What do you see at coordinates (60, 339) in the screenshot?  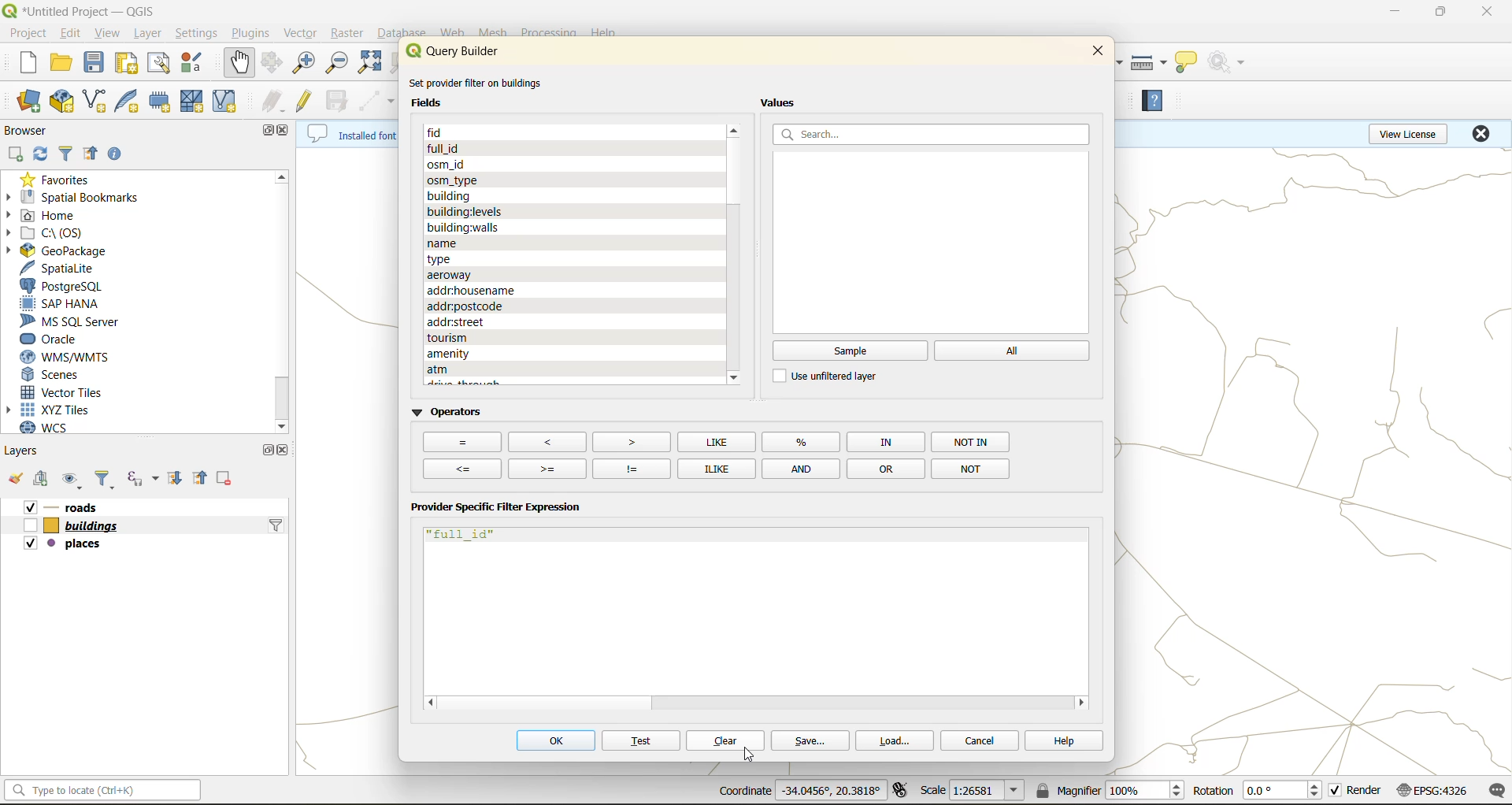 I see `oracle` at bounding box center [60, 339].